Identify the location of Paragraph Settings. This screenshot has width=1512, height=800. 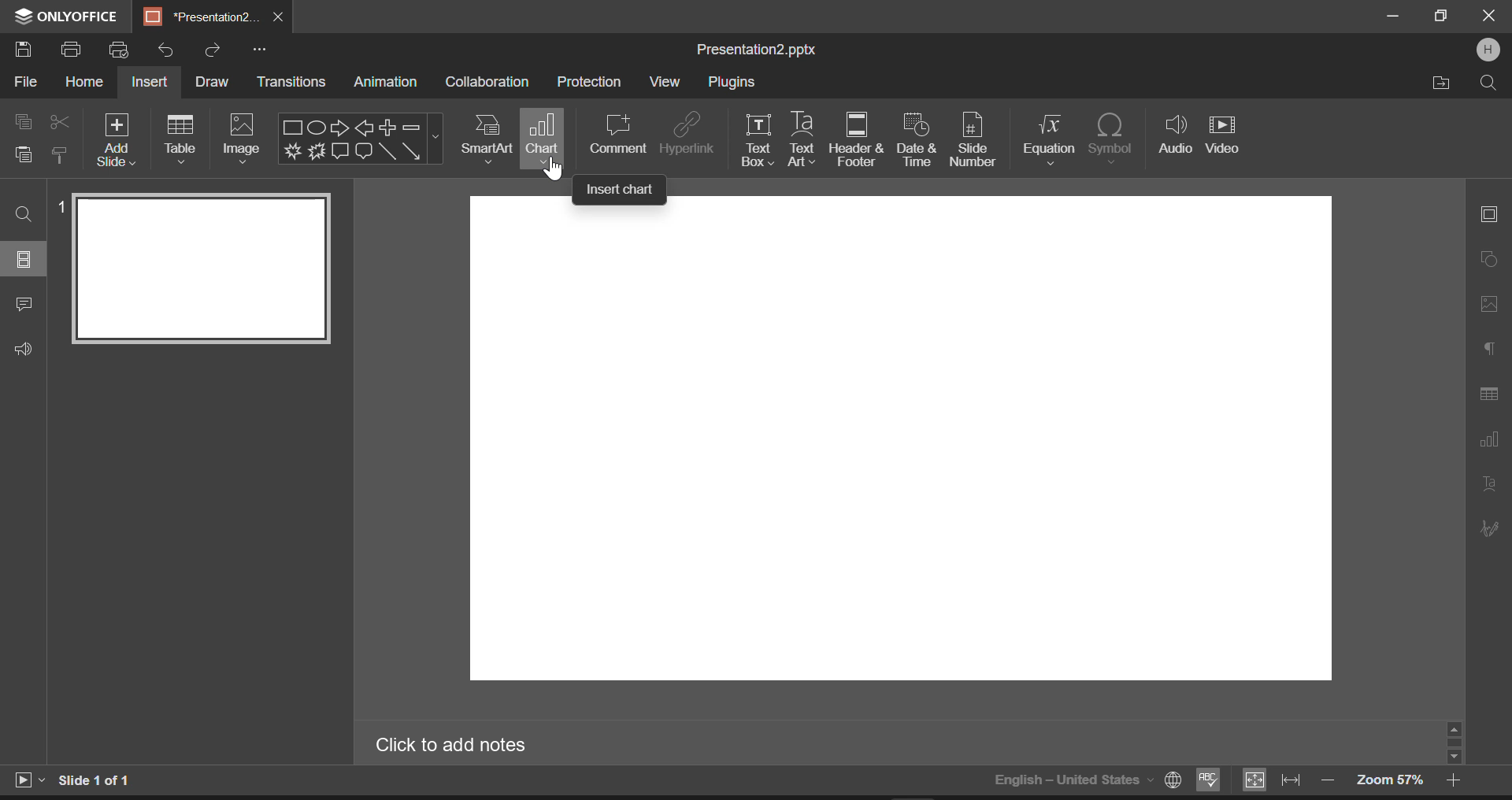
(1489, 345).